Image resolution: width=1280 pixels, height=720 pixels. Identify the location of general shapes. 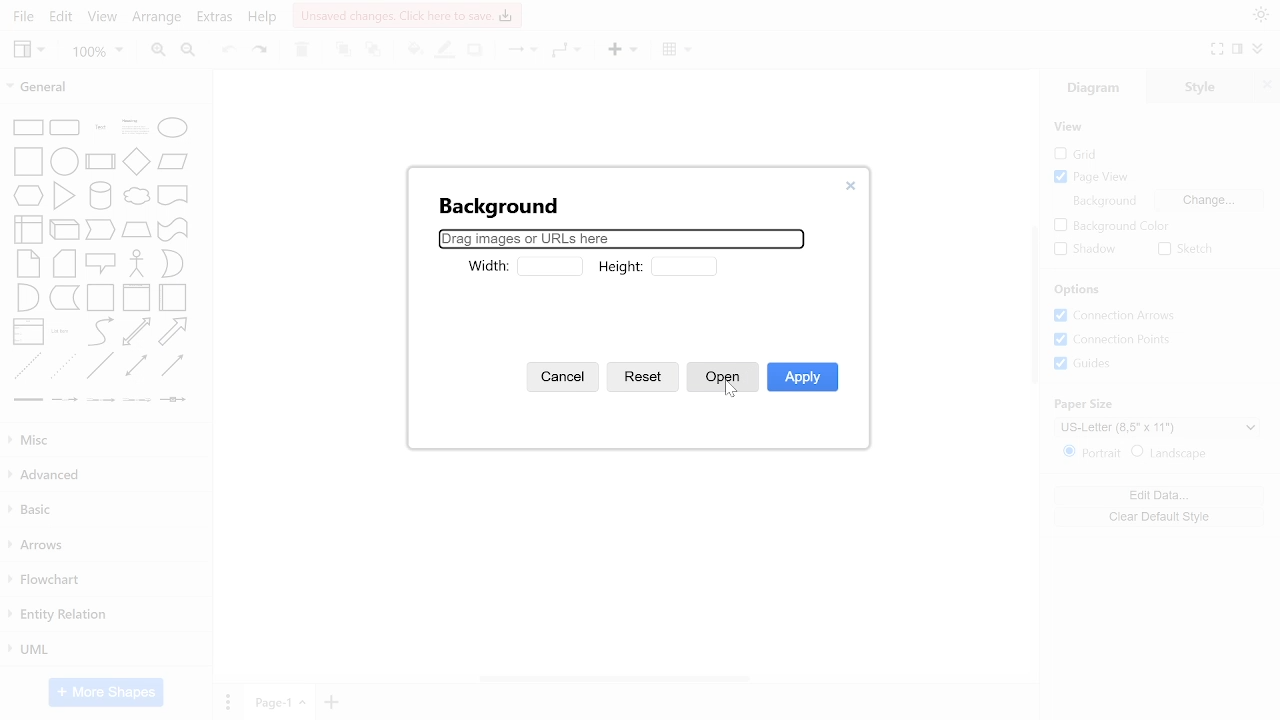
(62, 160).